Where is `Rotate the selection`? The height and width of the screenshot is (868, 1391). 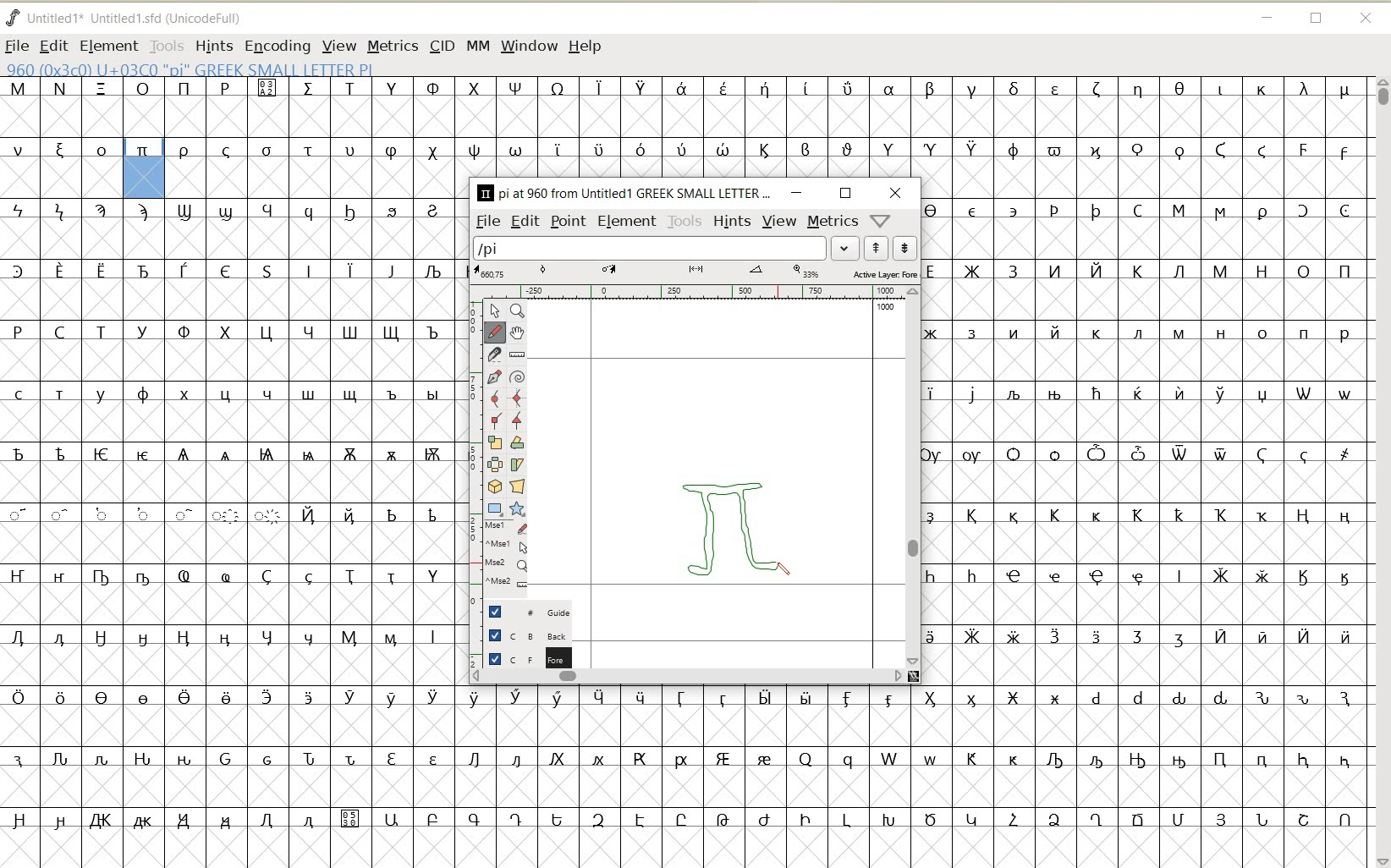 Rotate the selection is located at coordinates (518, 442).